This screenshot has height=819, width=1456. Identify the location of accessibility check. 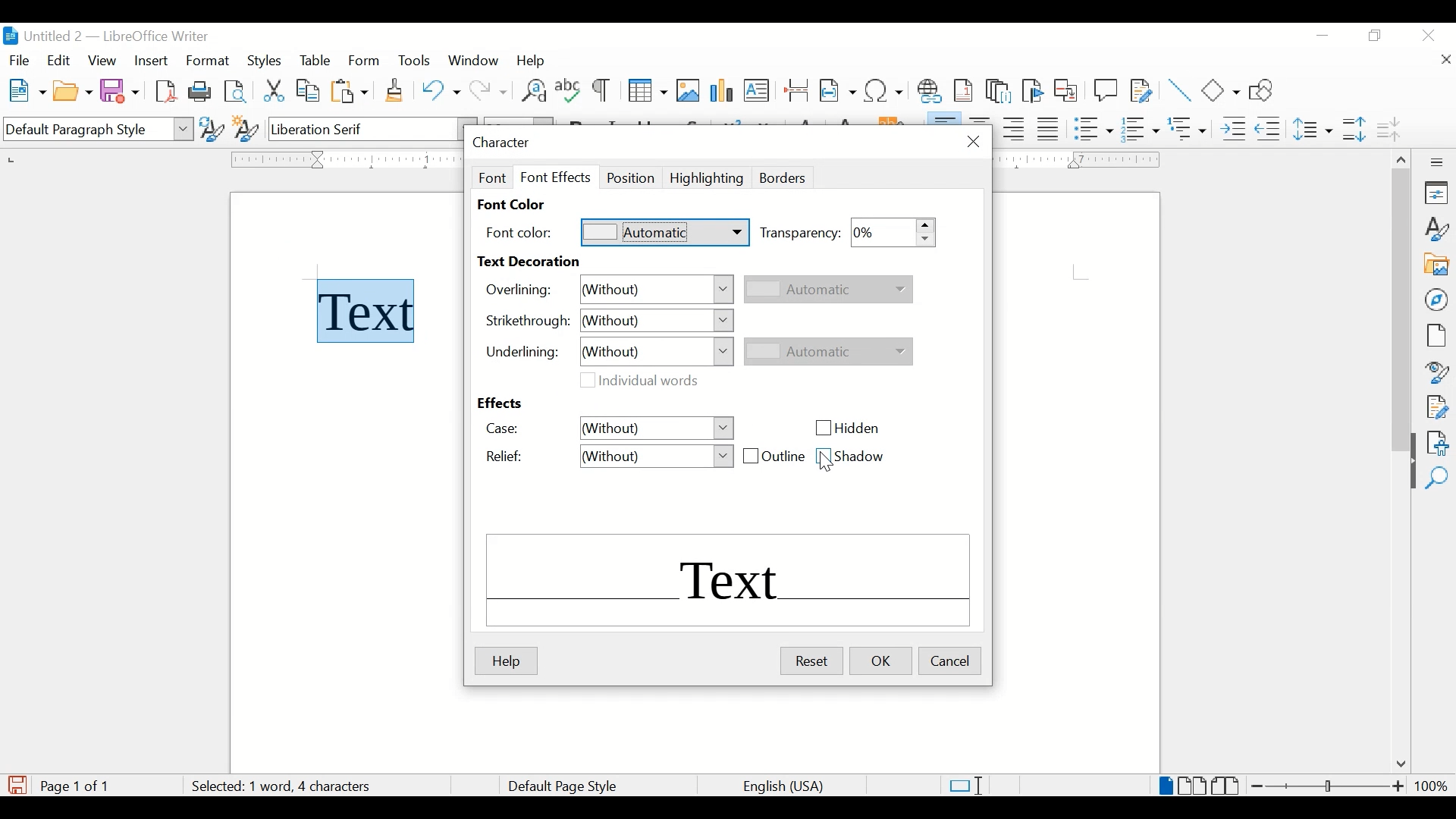
(1438, 443).